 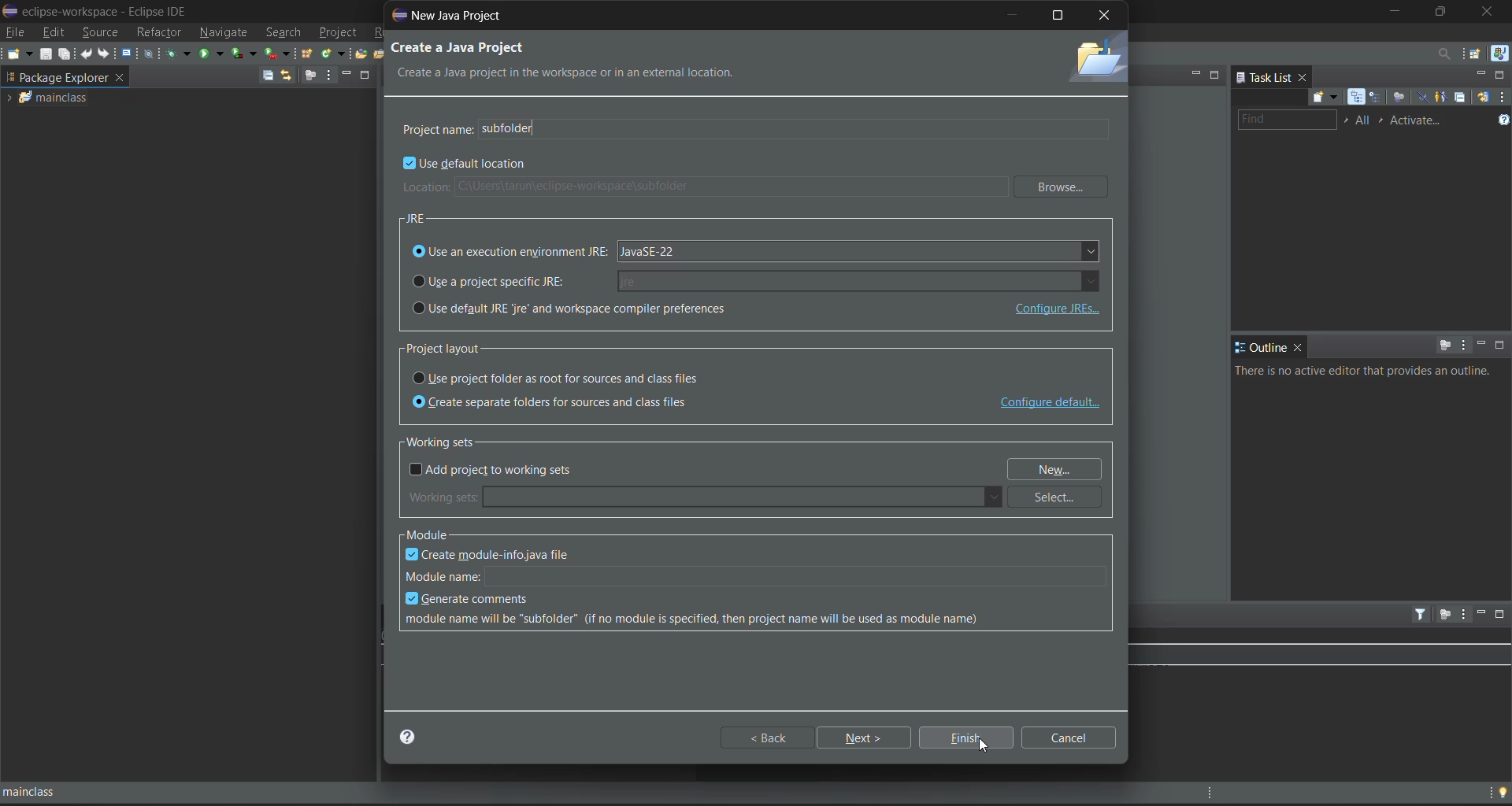 What do you see at coordinates (1322, 97) in the screenshot?
I see `new task` at bounding box center [1322, 97].